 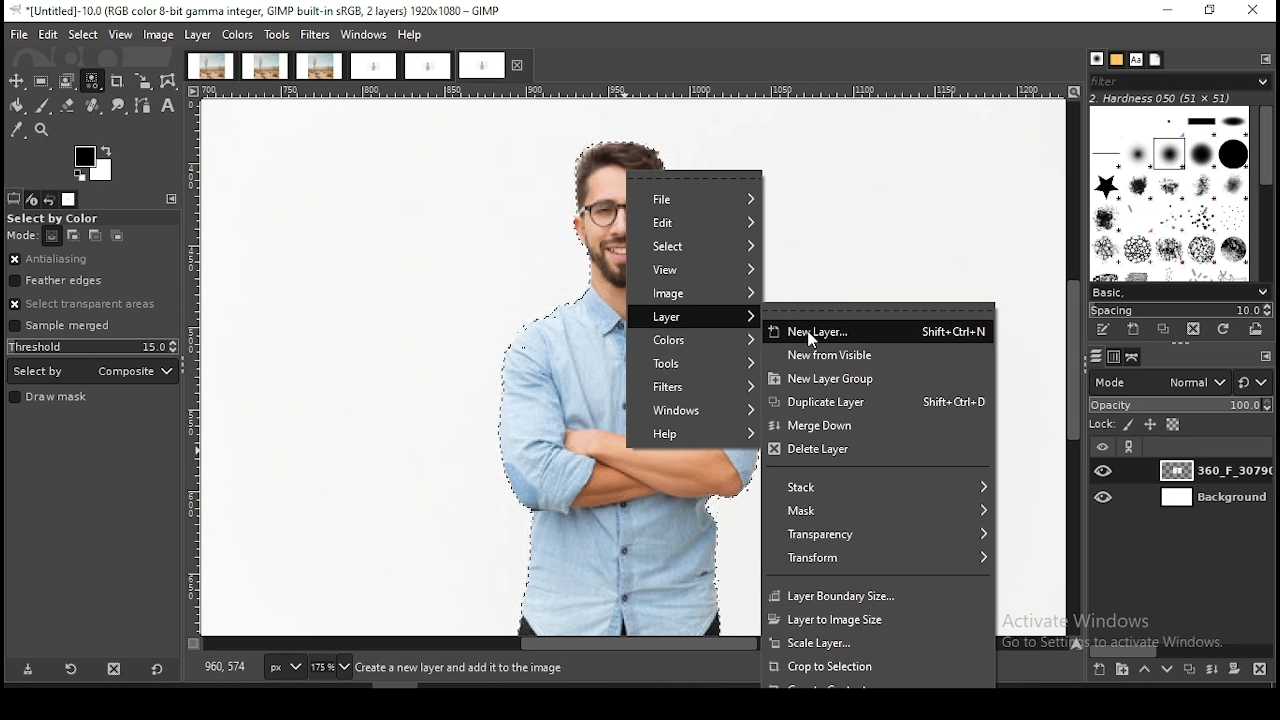 What do you see at coordinates (692, 362) in the screenshot?
I see `tools` at bounding box center [692, 362].